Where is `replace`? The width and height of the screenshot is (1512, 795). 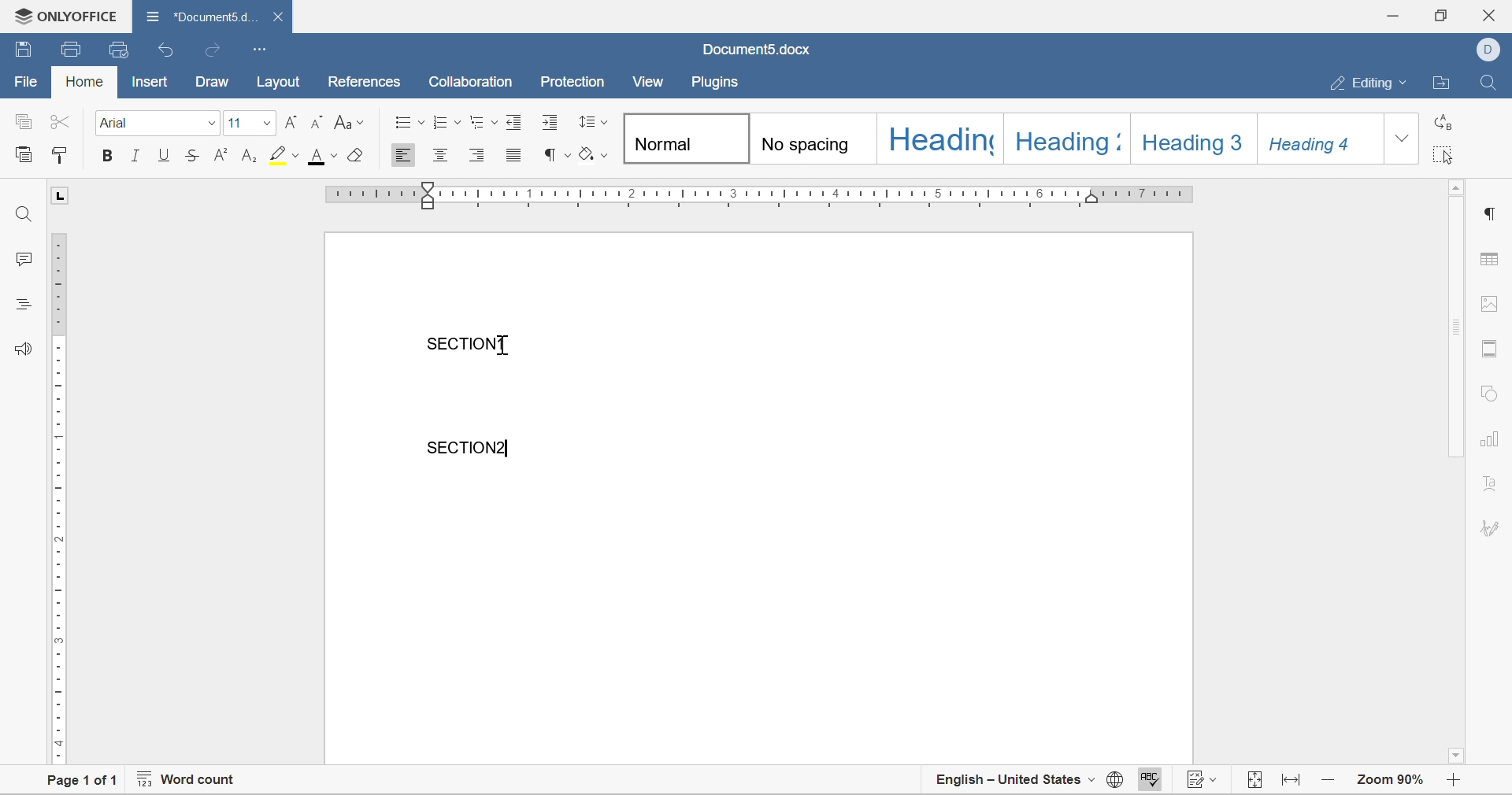 replace is located at coordinates (1440, 126).